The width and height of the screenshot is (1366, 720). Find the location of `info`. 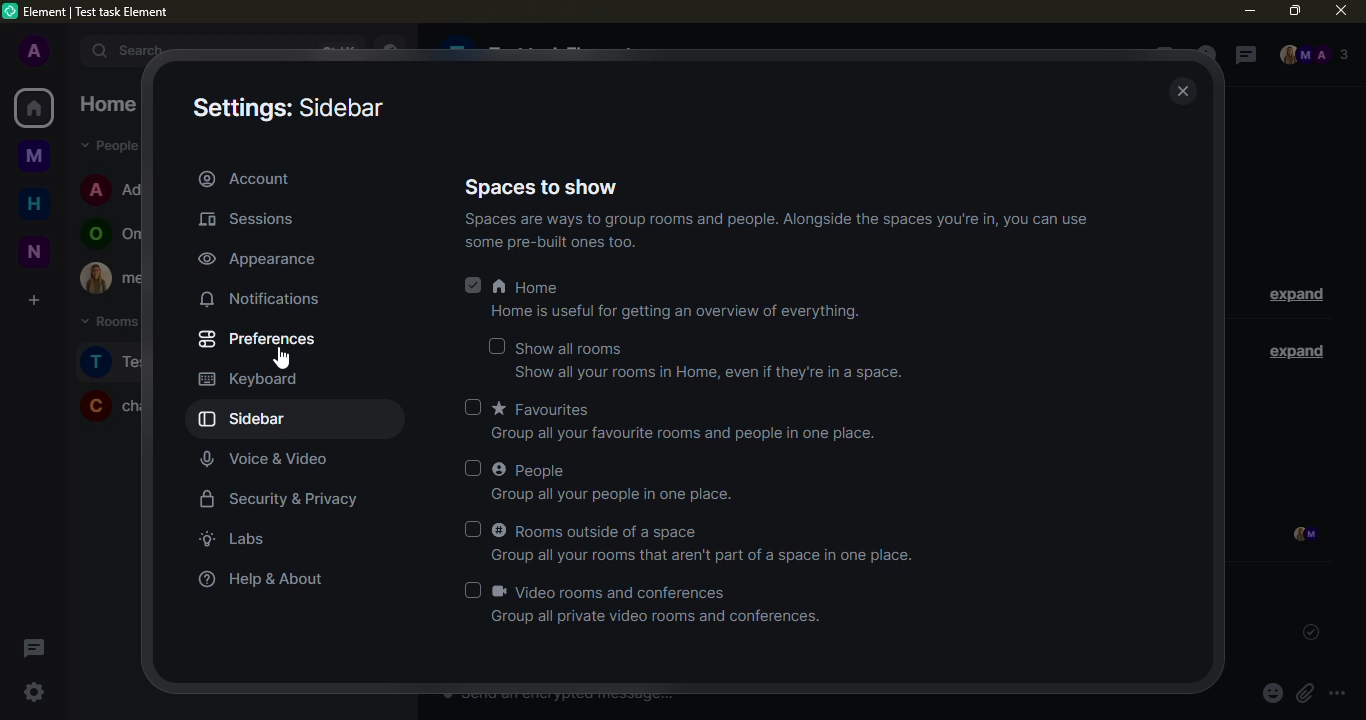

info is located at coordinates (677, 312).